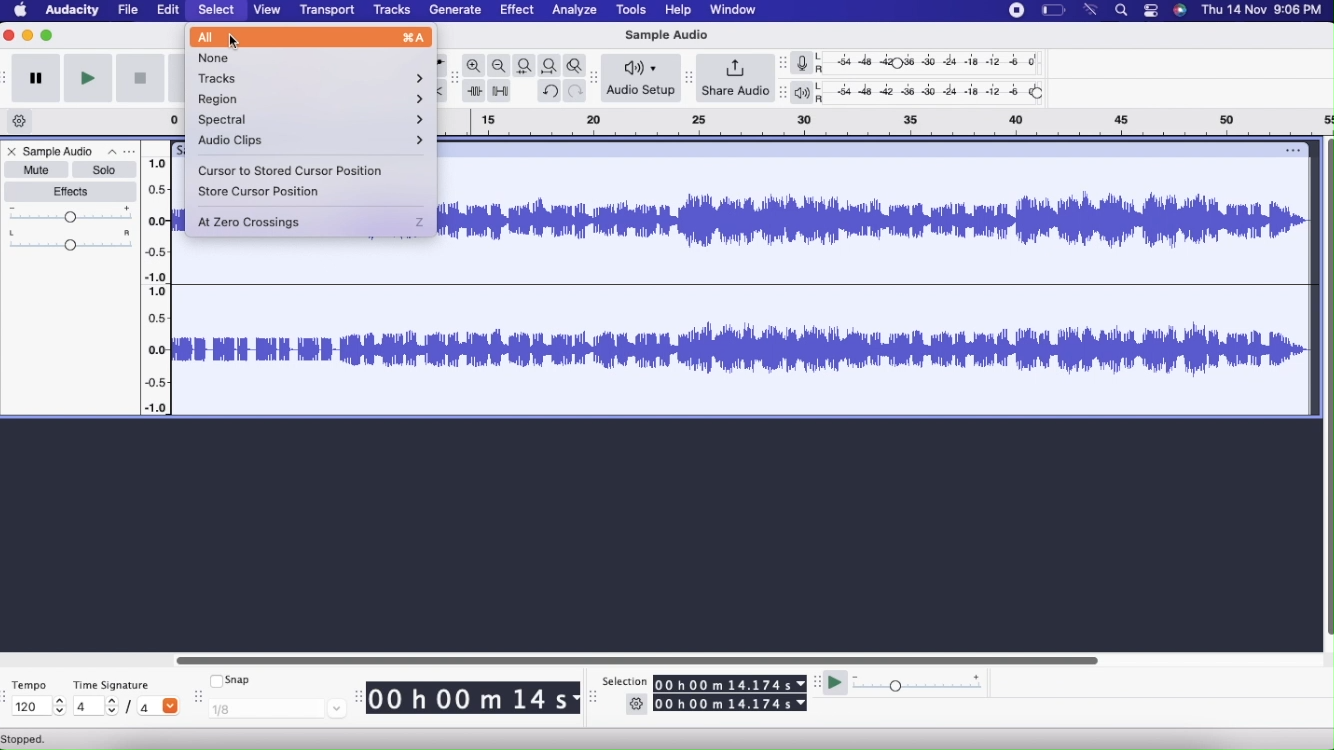  I want to click on Audacity, so click(72, 10).